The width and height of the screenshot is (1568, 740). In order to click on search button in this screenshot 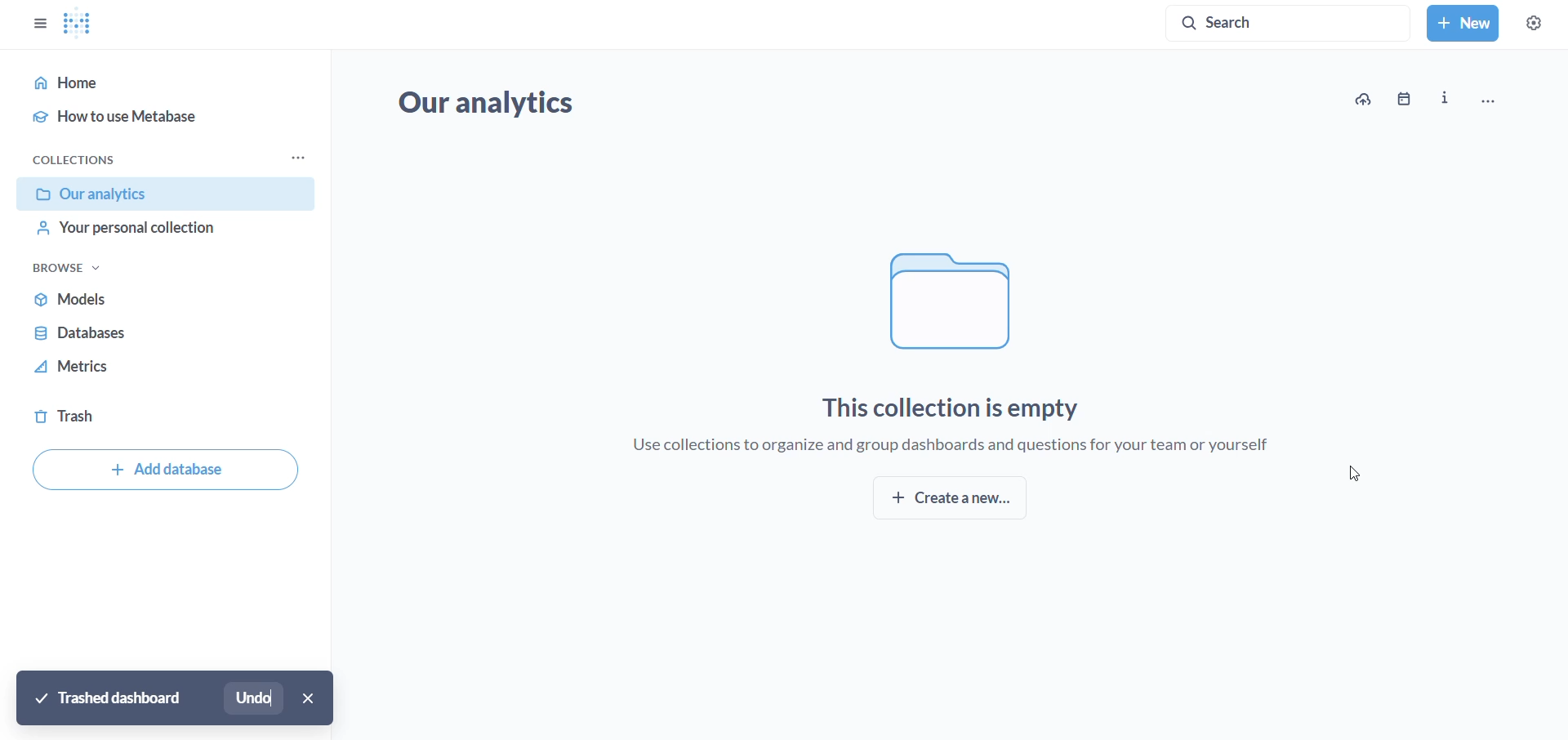, I will do `click(1290, 24)`.